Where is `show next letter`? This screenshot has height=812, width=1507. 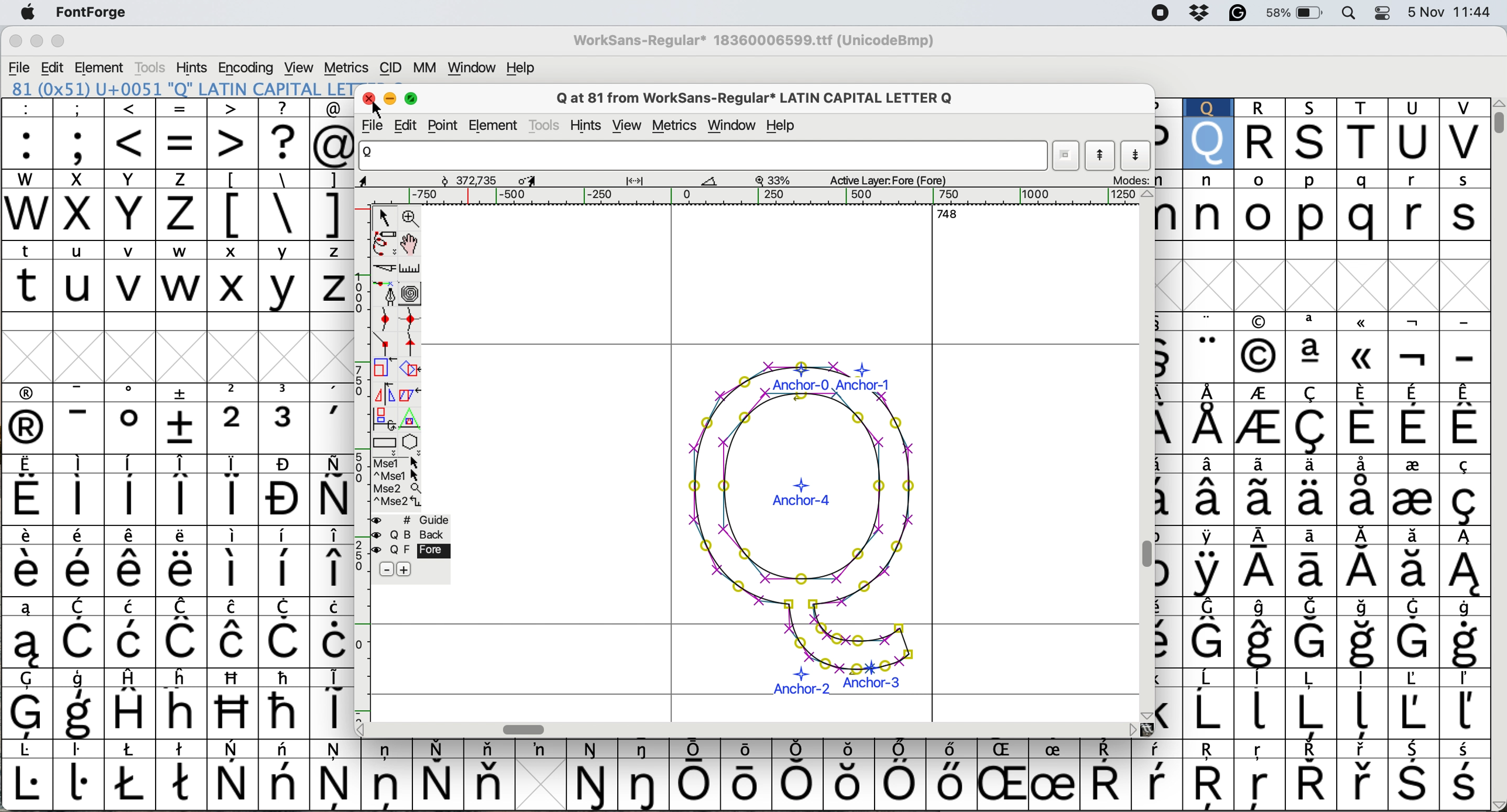
show next letter is located at coordinates (1137, 157).